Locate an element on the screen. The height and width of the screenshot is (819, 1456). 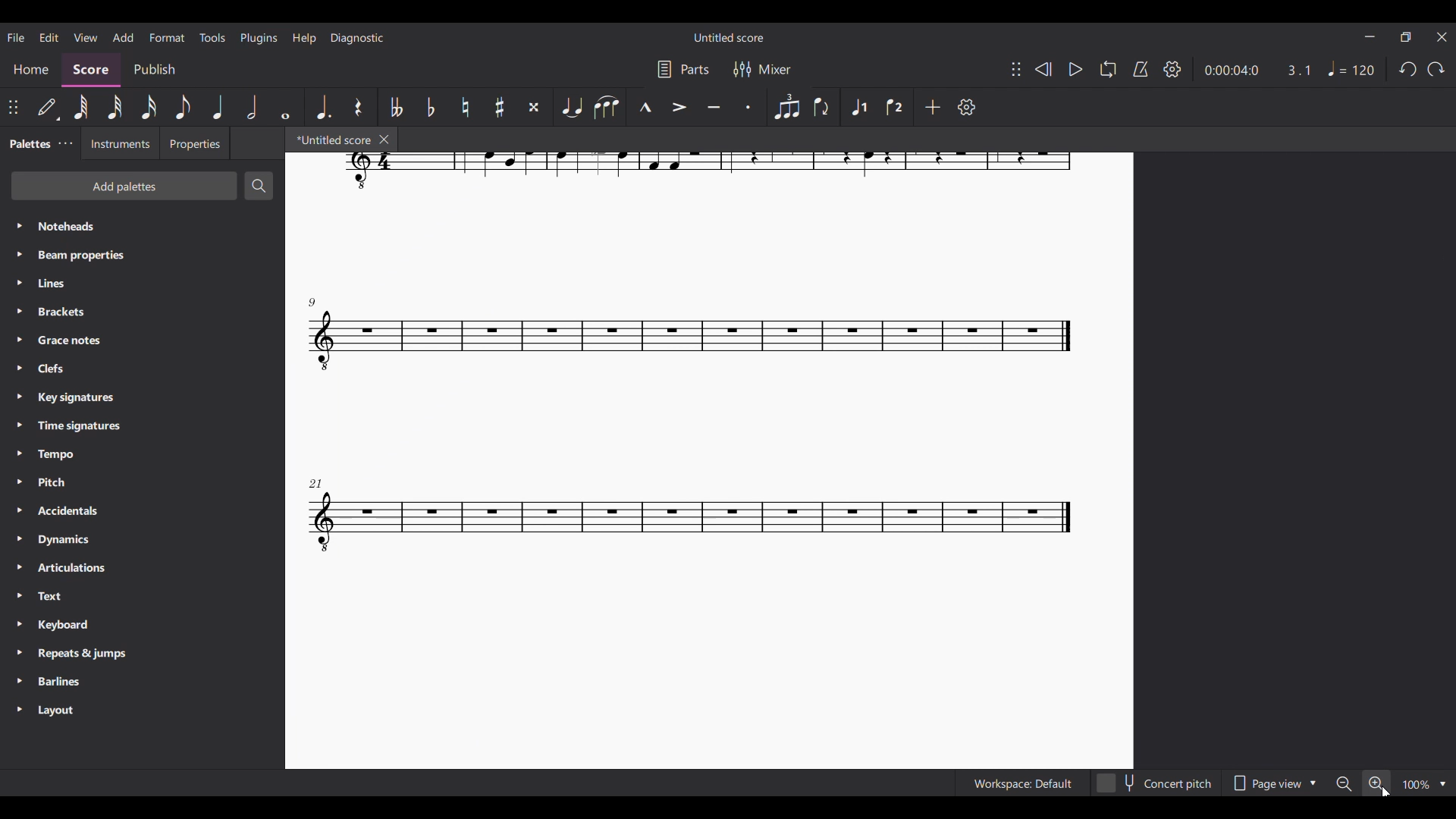
Toggle double flat is located at coordinates (395, 107).